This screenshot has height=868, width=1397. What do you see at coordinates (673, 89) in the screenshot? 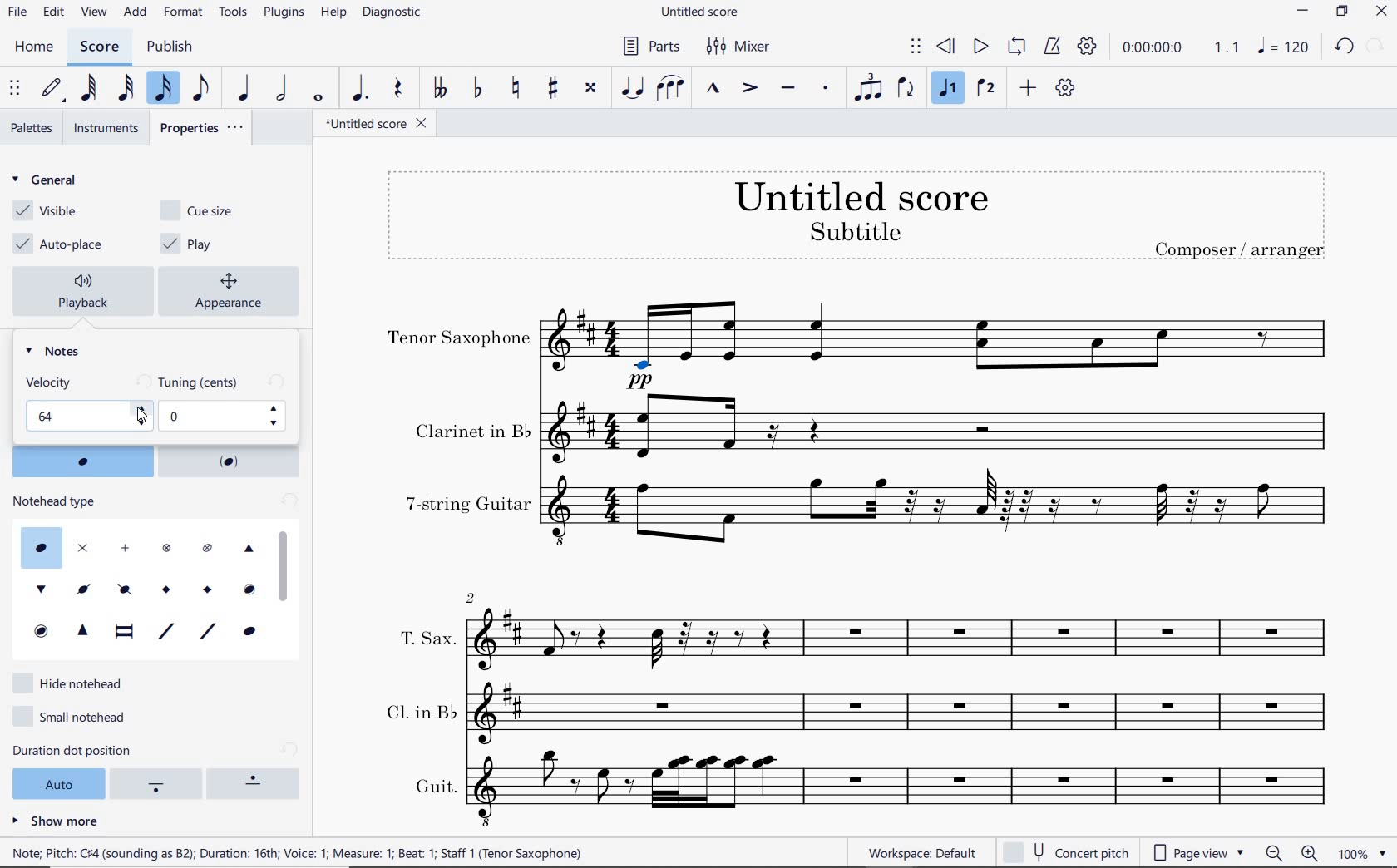
I see `SLUR` at bounding box center [673, 89].